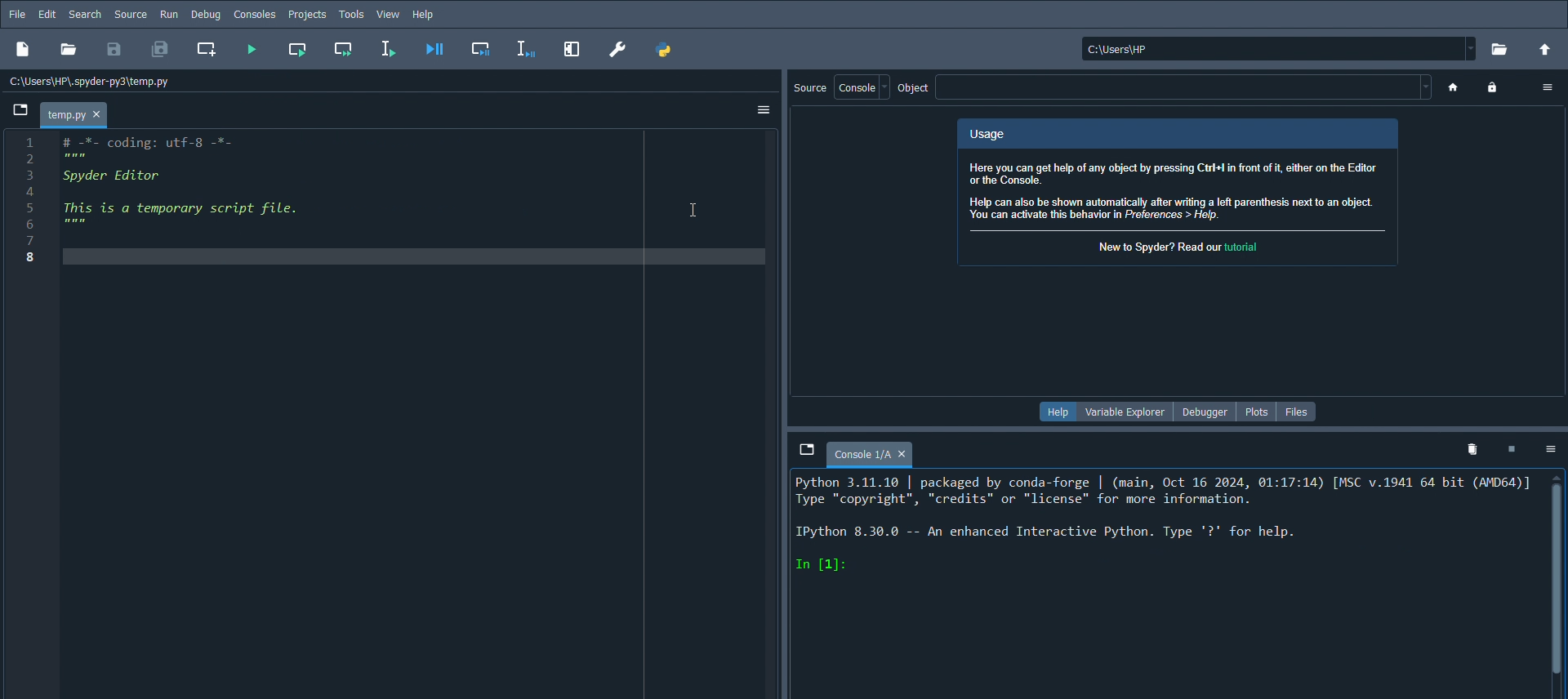 The height and width of the screenshot is (699, 1568). I want to click on Temporary file, so click(73, 115).